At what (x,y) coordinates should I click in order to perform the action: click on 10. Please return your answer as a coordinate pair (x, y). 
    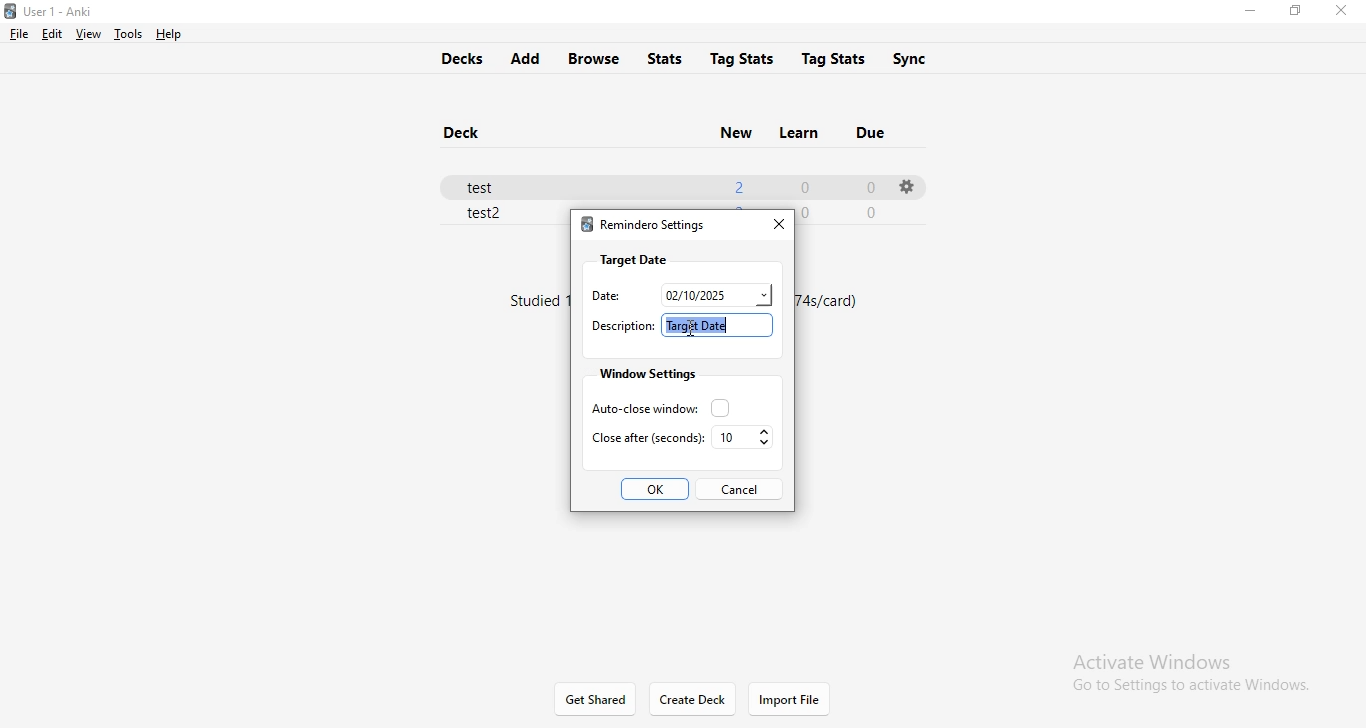
    Looking at the image, I should click on (744, 438).